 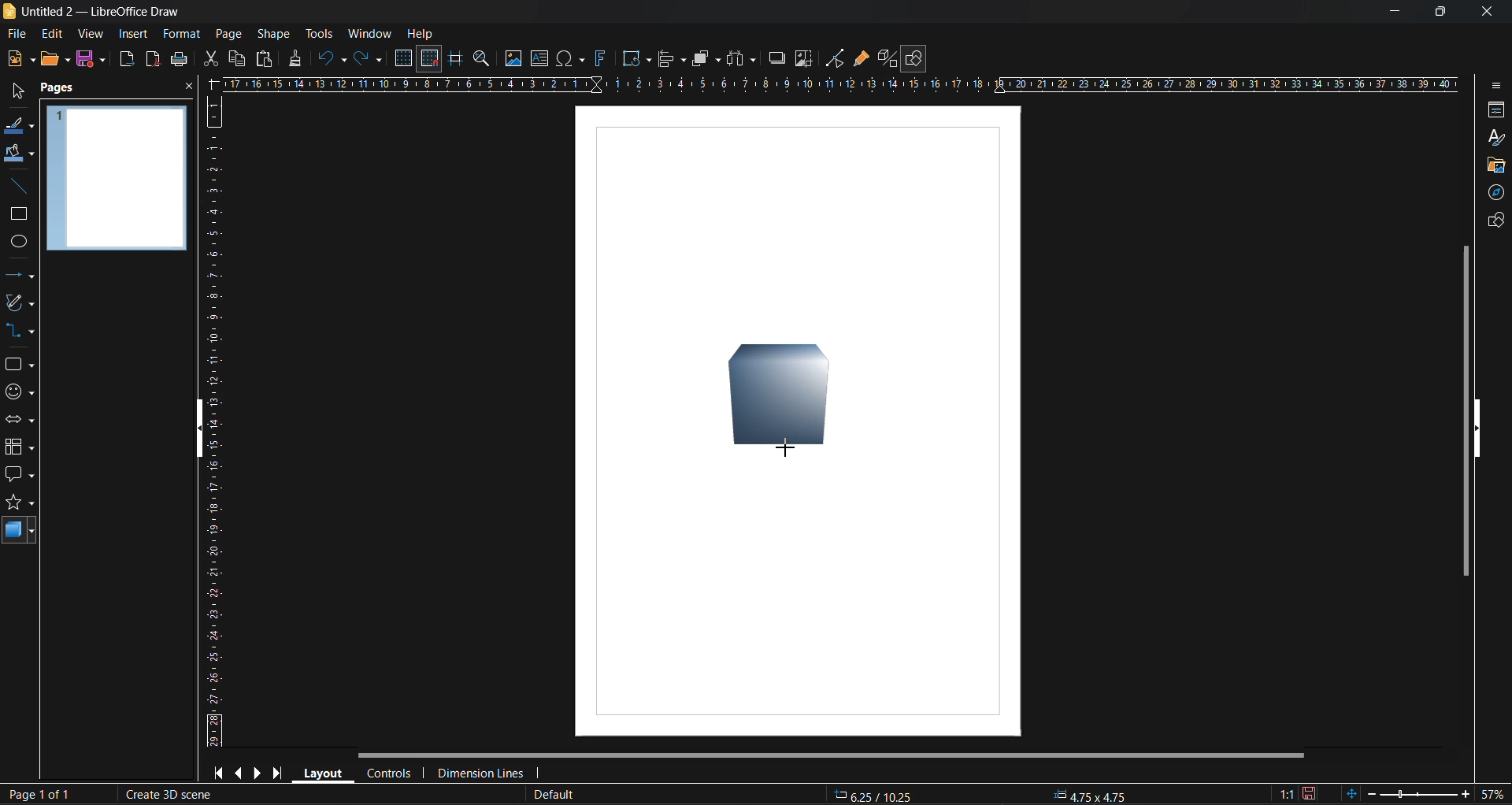 I want to click on shadow, so click(x=775, y=57).